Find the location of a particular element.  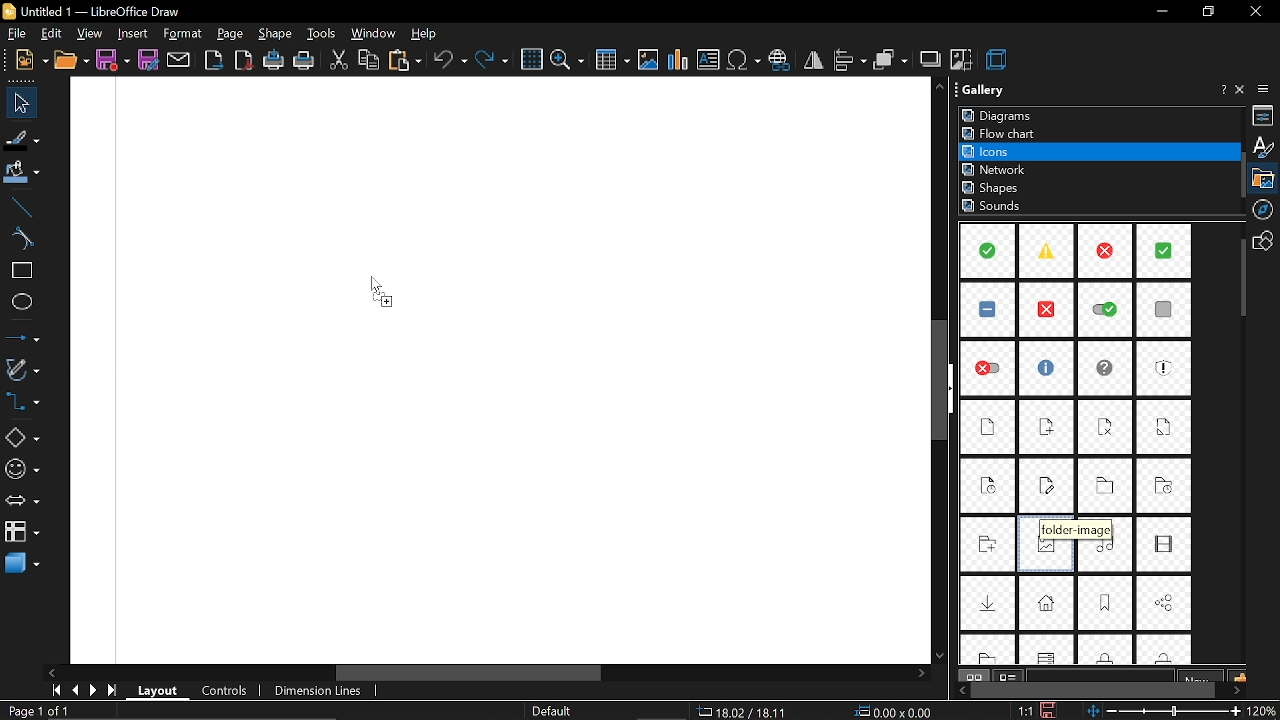

file is located at coordinates (16, 34).